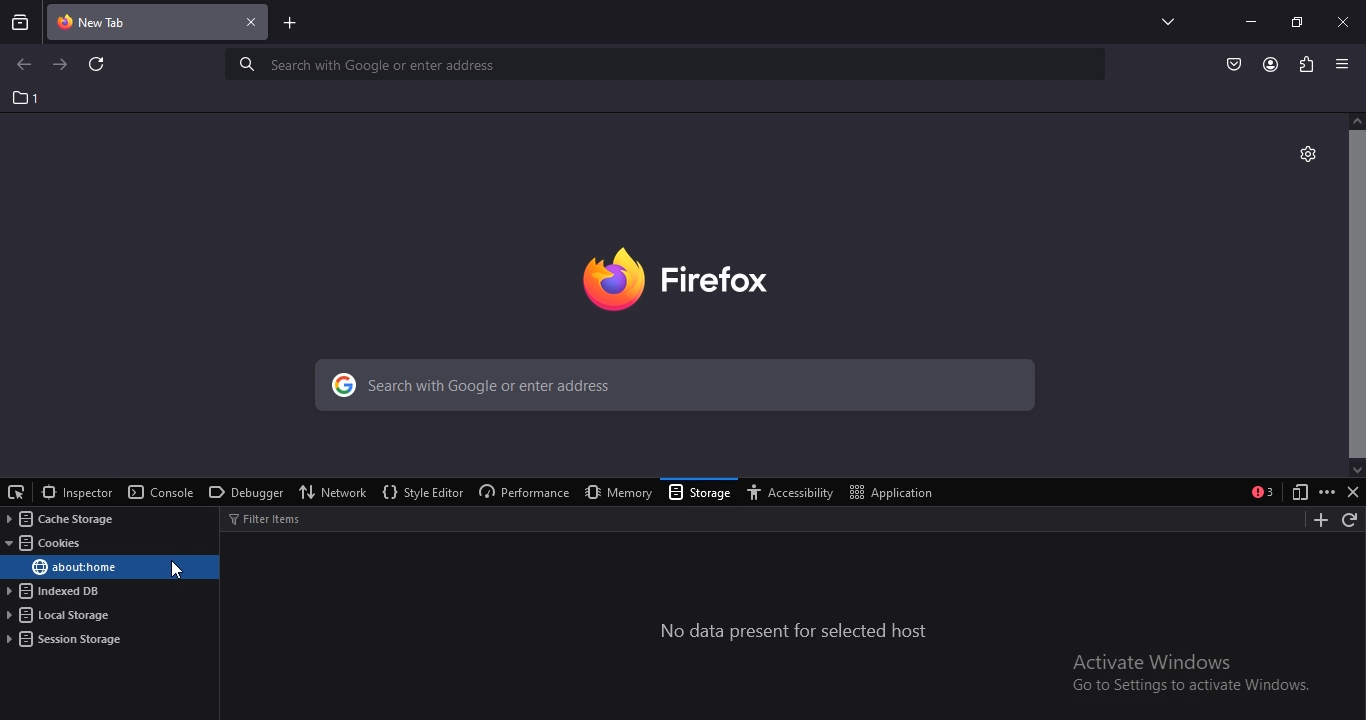 The height and width of the screenshot is (720, 1366). I want to click on responsive design mode, so click(1296, 493).